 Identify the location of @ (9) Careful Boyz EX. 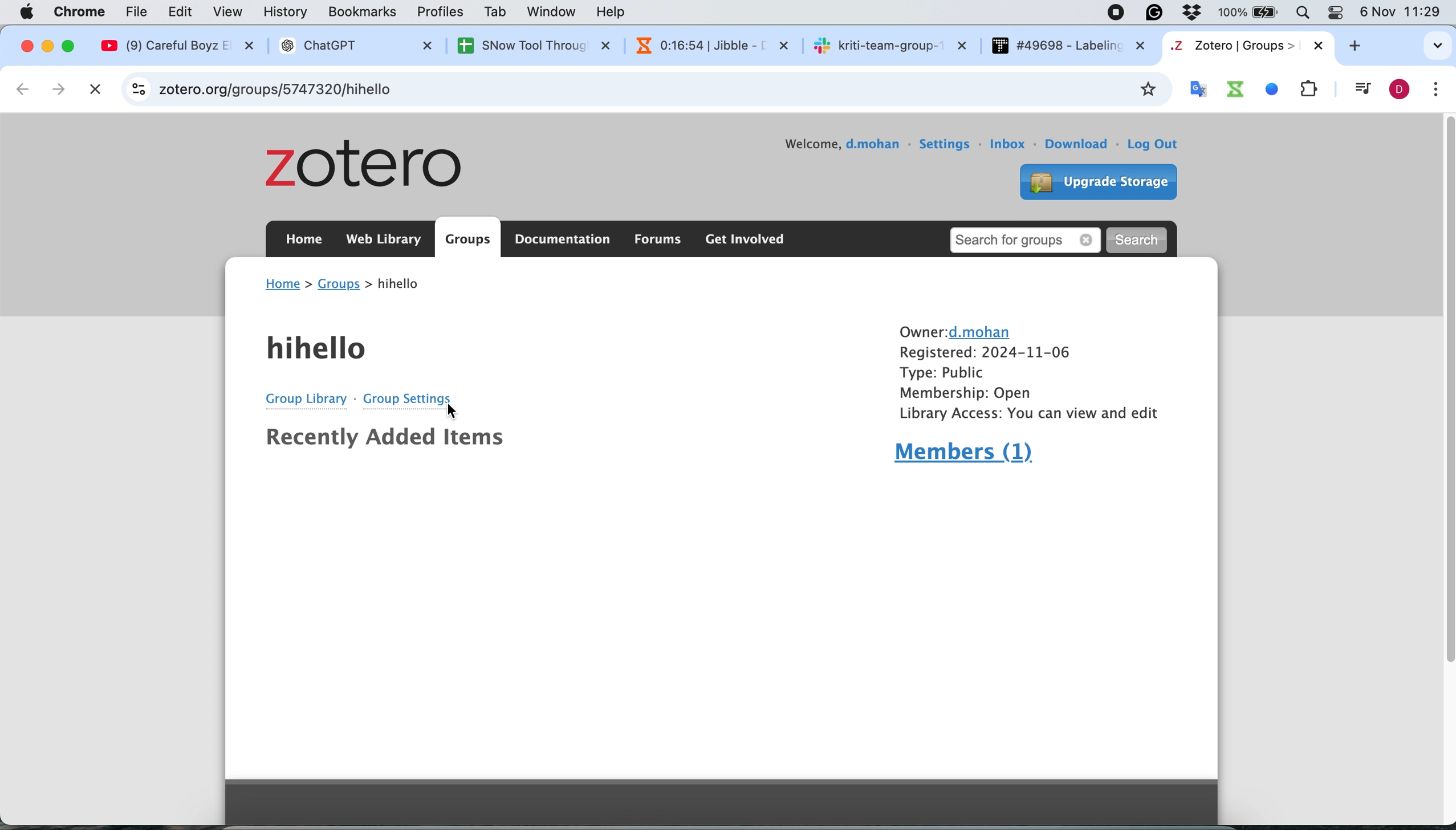
(184, 46).